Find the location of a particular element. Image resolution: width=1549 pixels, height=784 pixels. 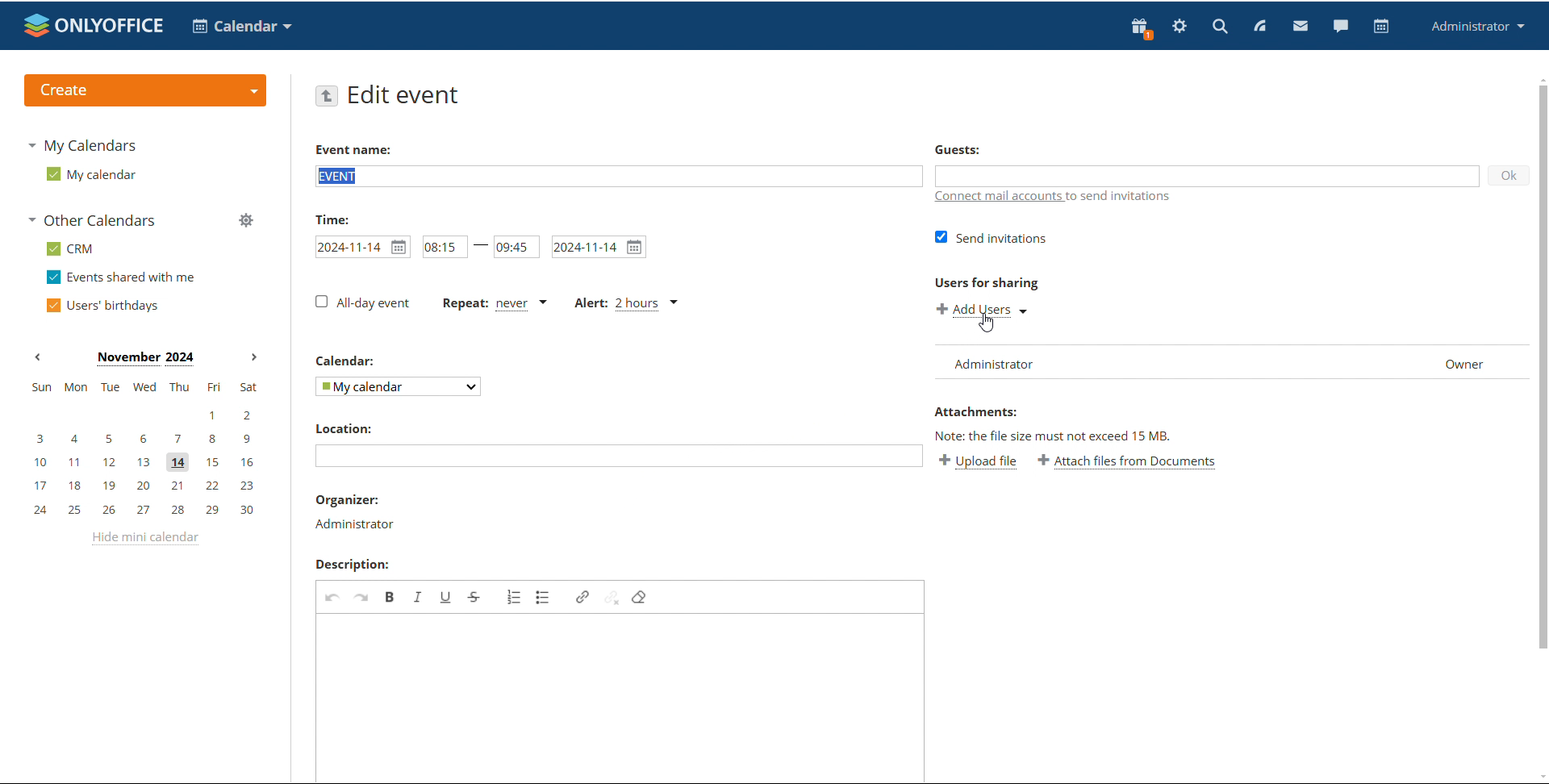

reward is located at coordinates (1142, 28).